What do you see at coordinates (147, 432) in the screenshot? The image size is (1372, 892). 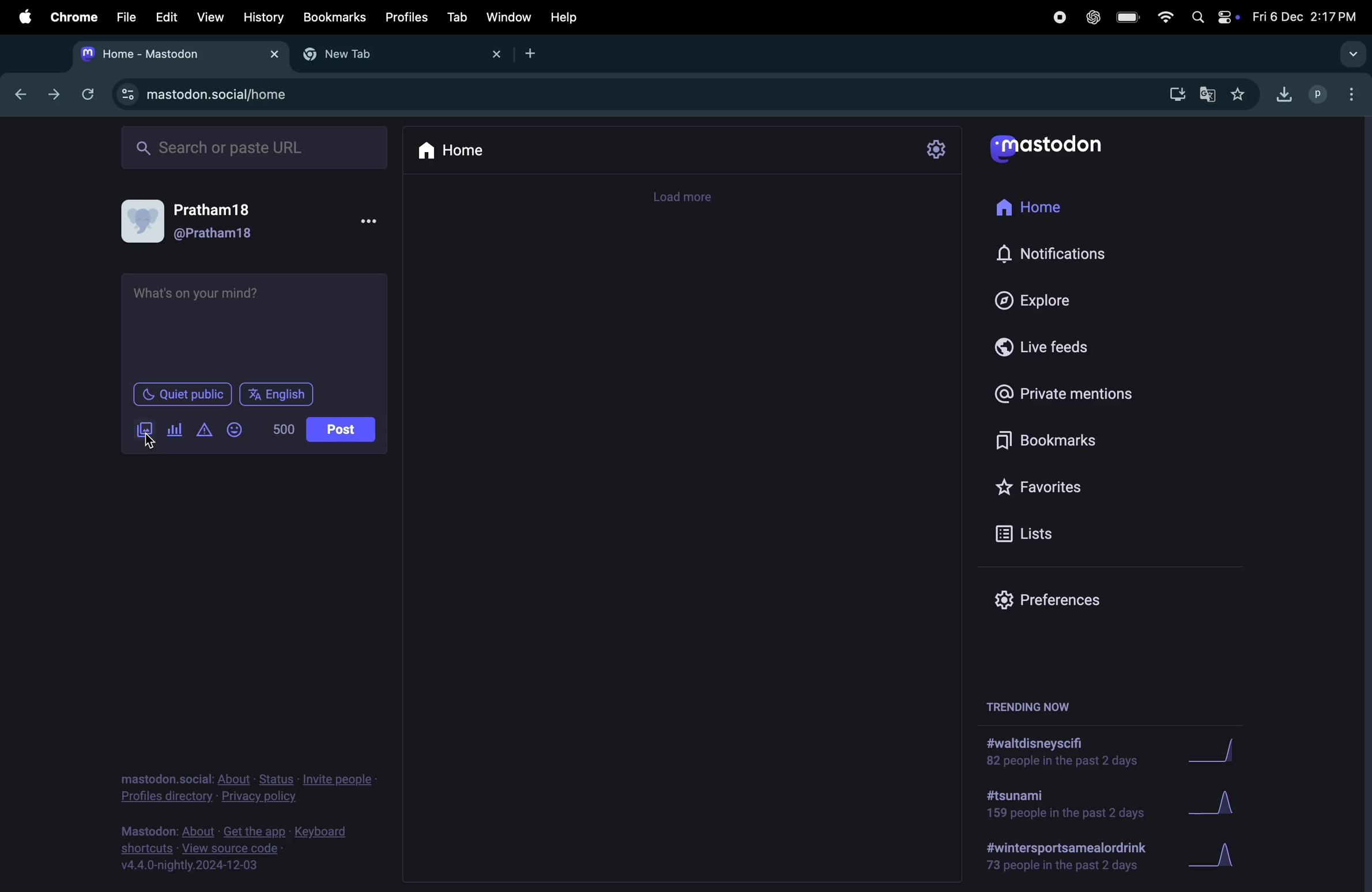 I see `add image` at bounding box center [147, 432].